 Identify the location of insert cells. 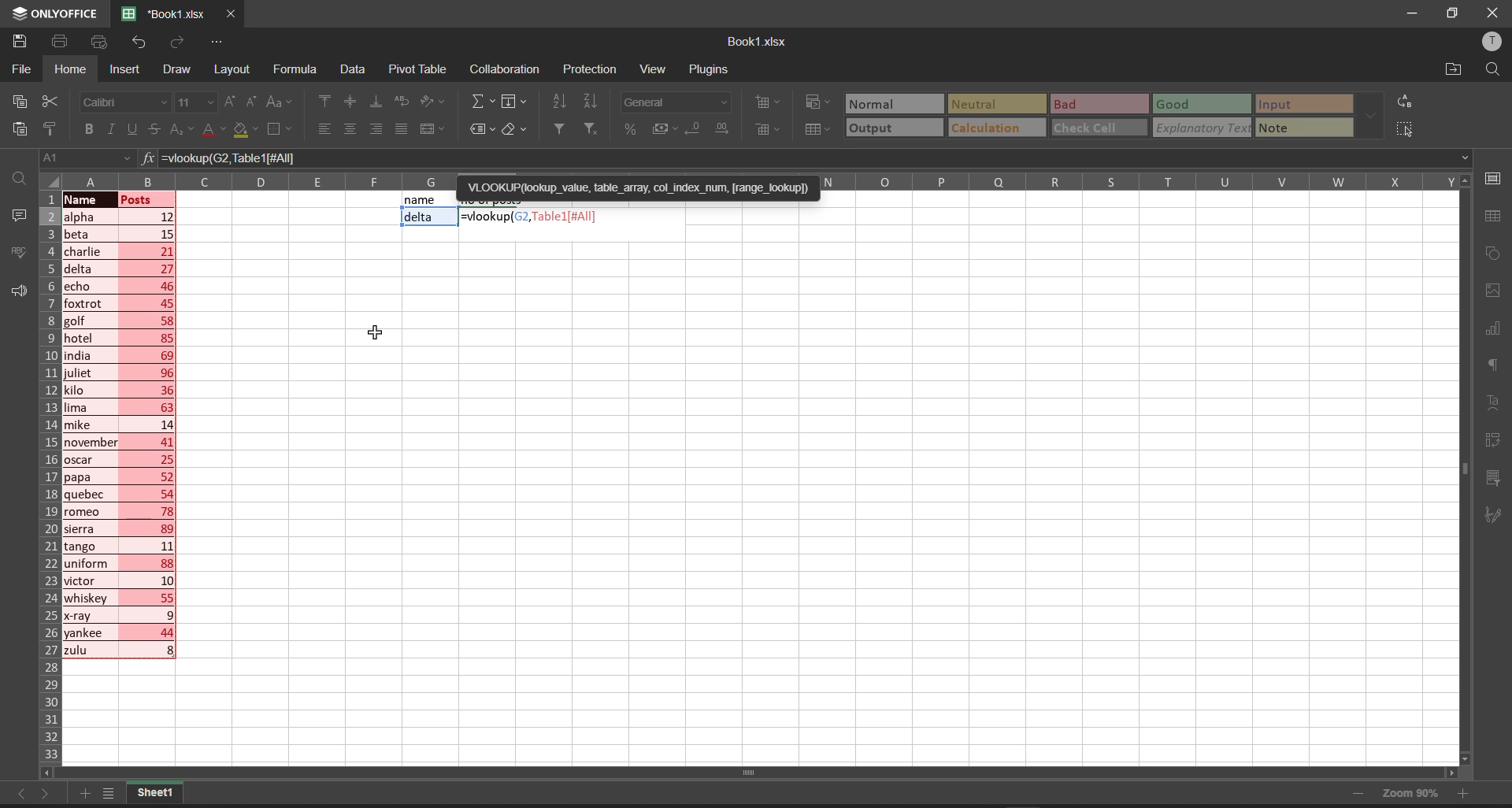
(765, 103).